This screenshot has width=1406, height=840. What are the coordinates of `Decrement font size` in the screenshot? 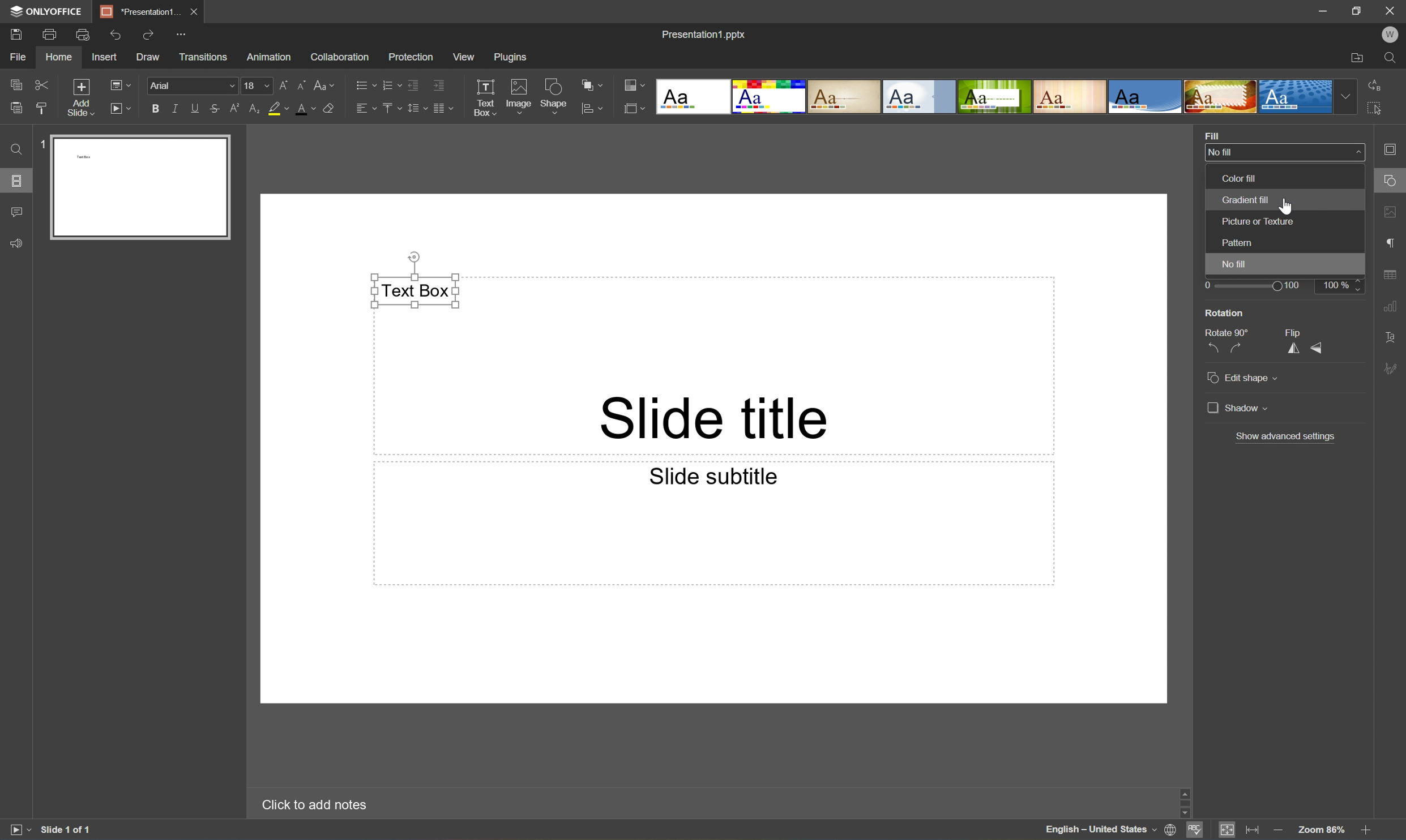 It's located at (300, 85).